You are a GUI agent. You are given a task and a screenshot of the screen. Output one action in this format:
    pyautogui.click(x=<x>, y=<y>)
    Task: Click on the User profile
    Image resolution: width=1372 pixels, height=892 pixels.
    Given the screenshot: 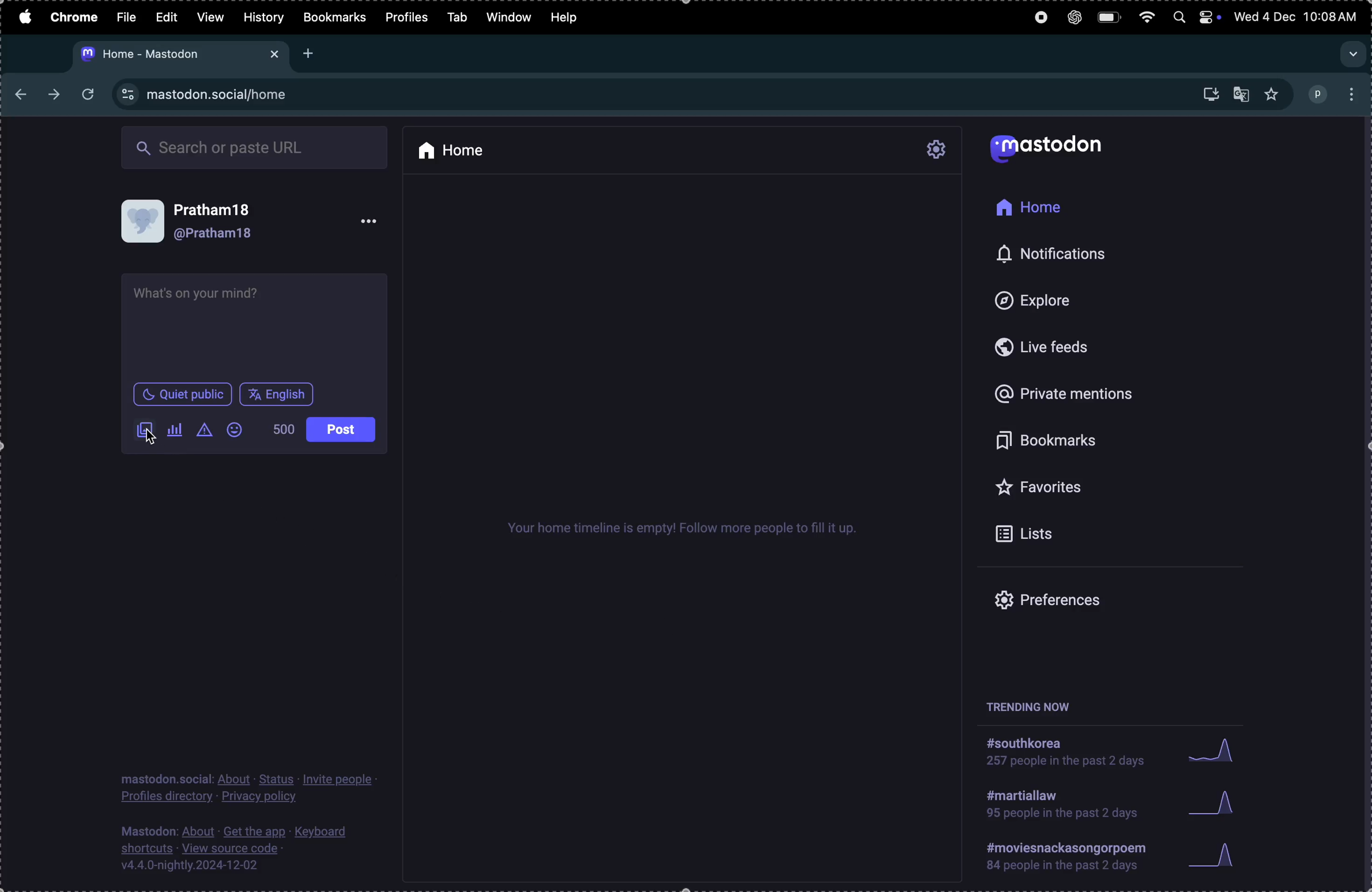 What is the action you would take?
    pyautogui.click(x=226, y=221)
    